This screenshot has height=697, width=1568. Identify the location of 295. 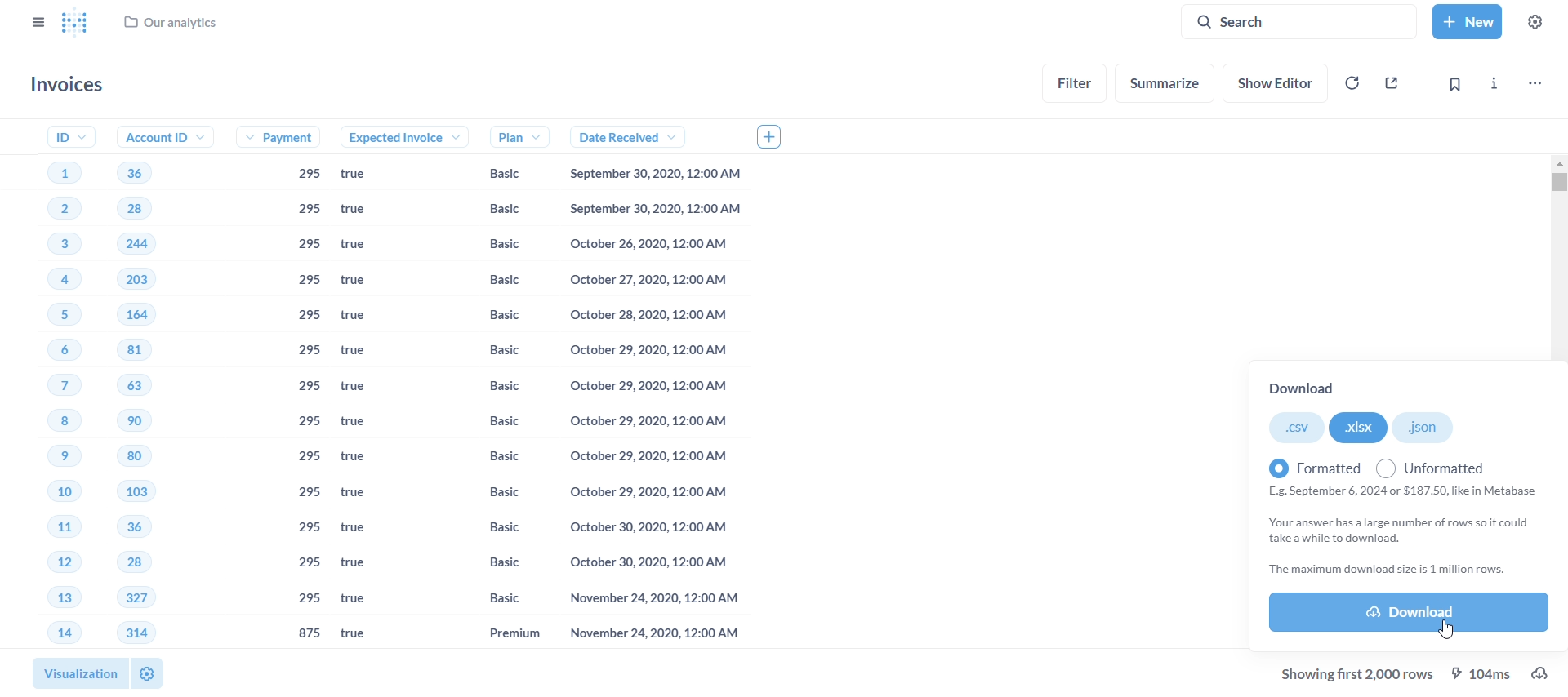
(310, 388).